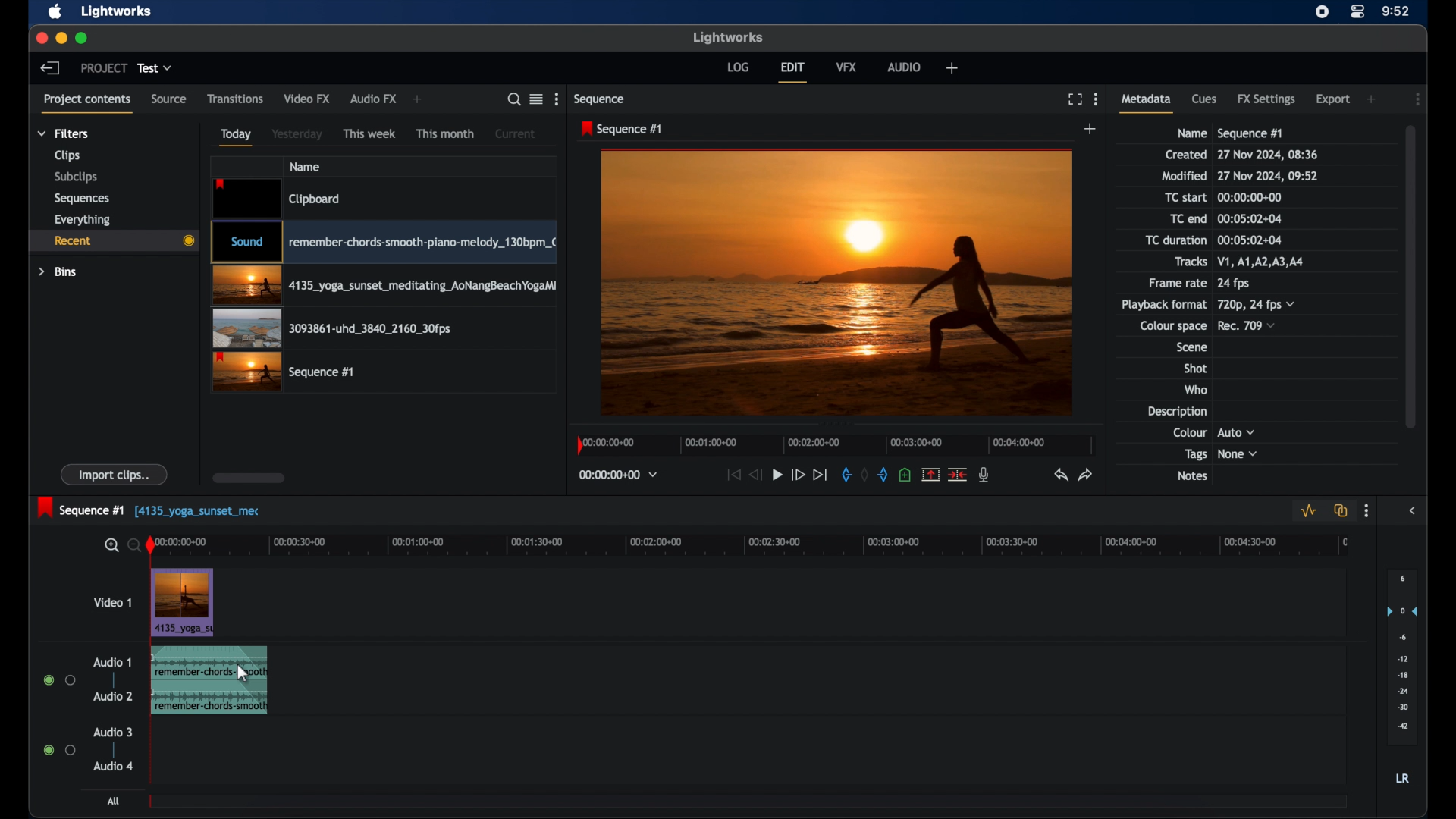 The height and width of the screenshot is (819, 1456). I want to click on sequences, so click(82, 199).